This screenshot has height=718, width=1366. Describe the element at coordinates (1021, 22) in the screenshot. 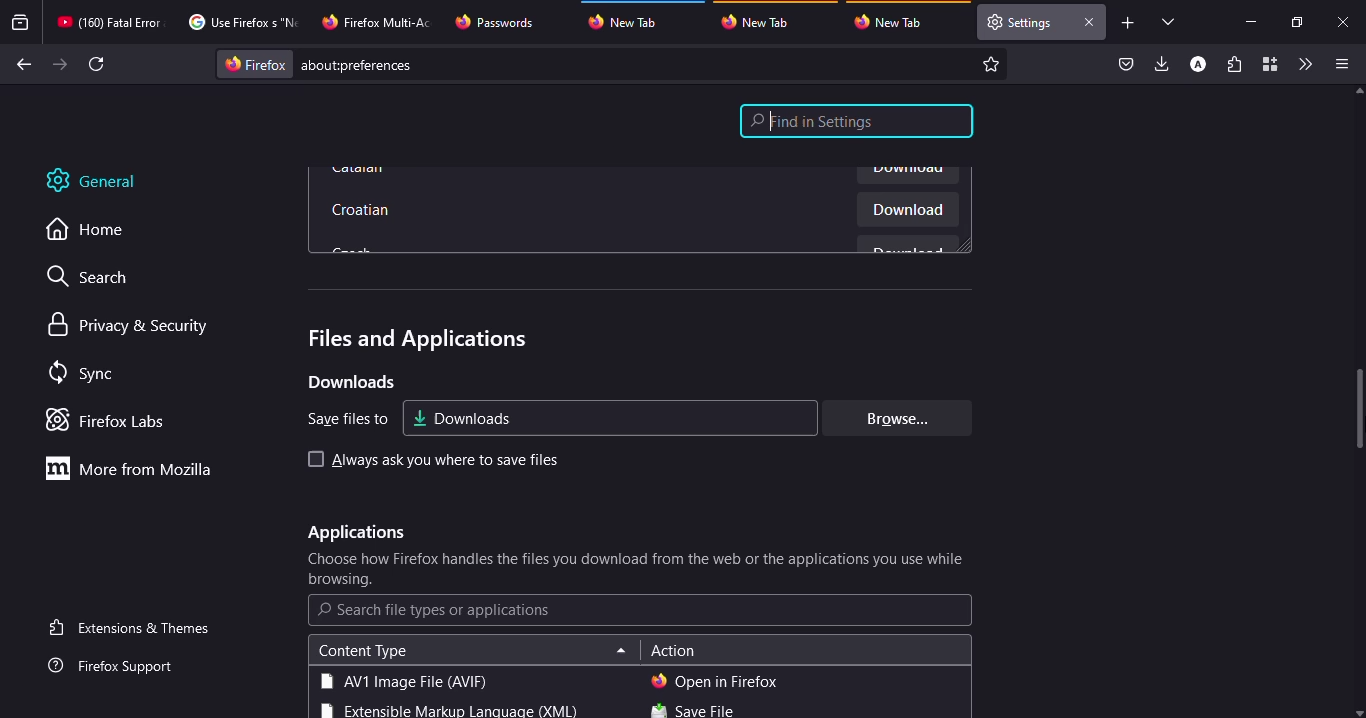

I see `tab` at that location.